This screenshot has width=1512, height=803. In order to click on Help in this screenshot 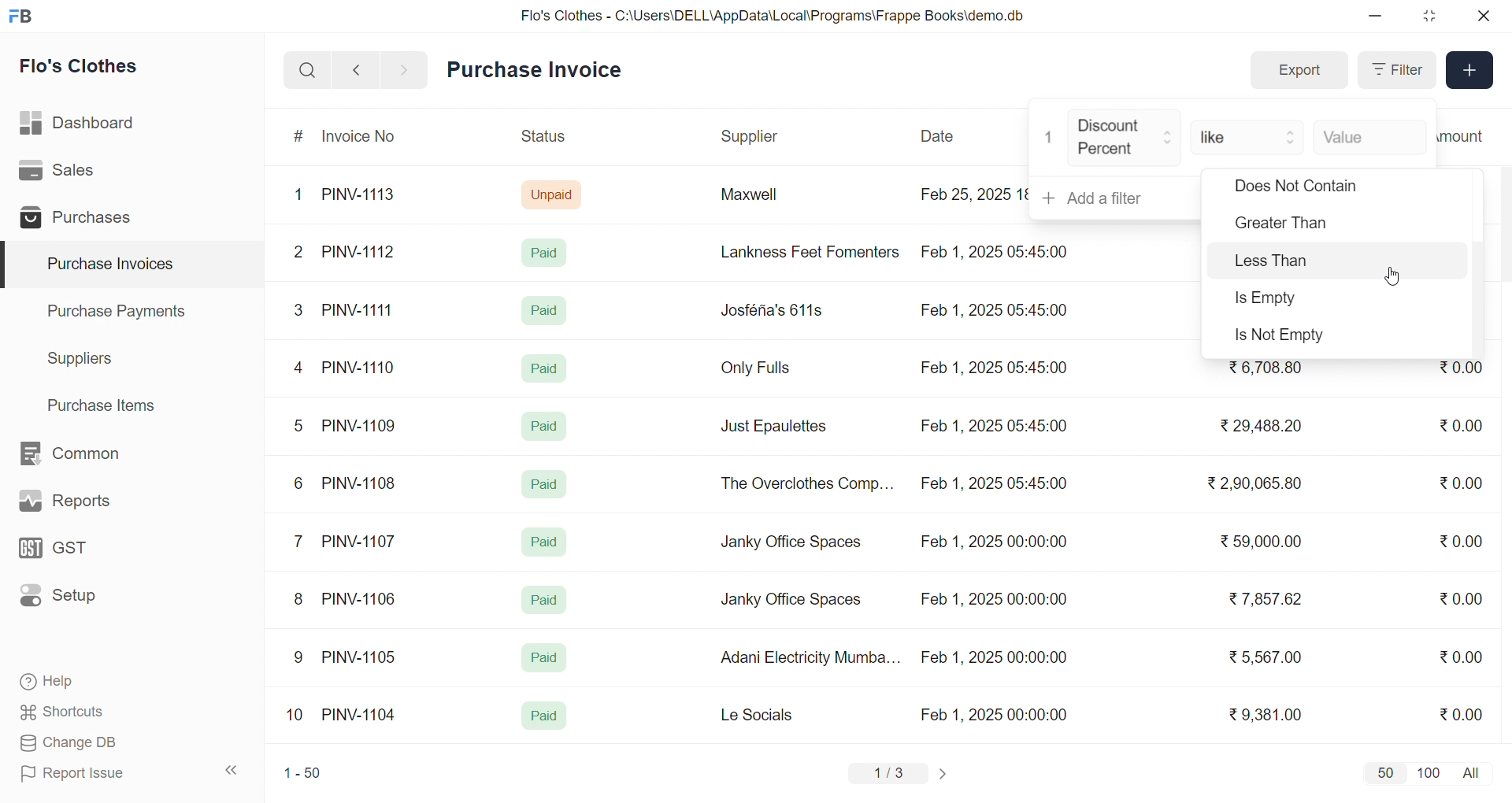, I will do `click(98, 683)`.